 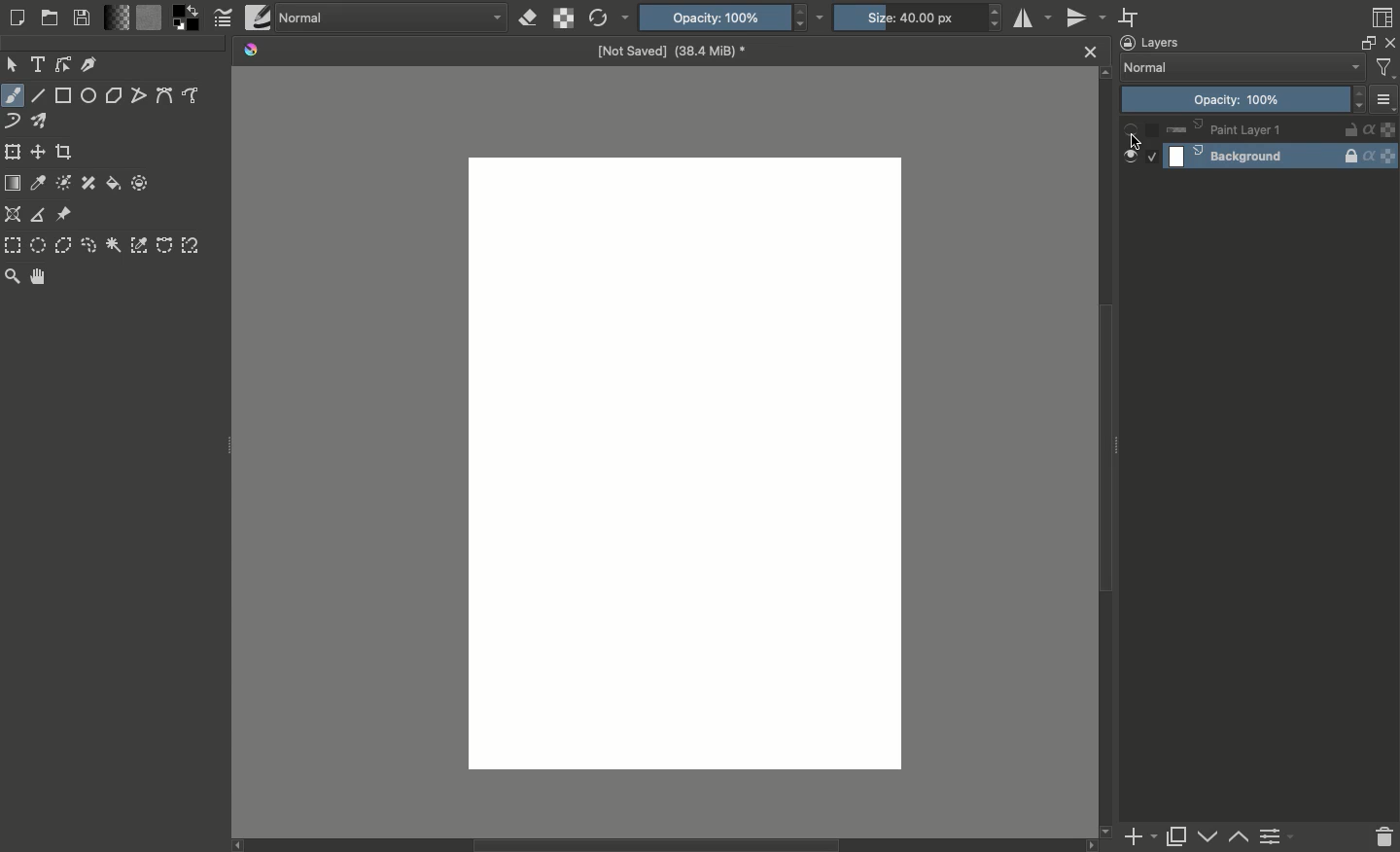 What do you see at coordinates (1281, 837) in the screenshot?
I see `Layer properties` at bounding box center [1281, 837].